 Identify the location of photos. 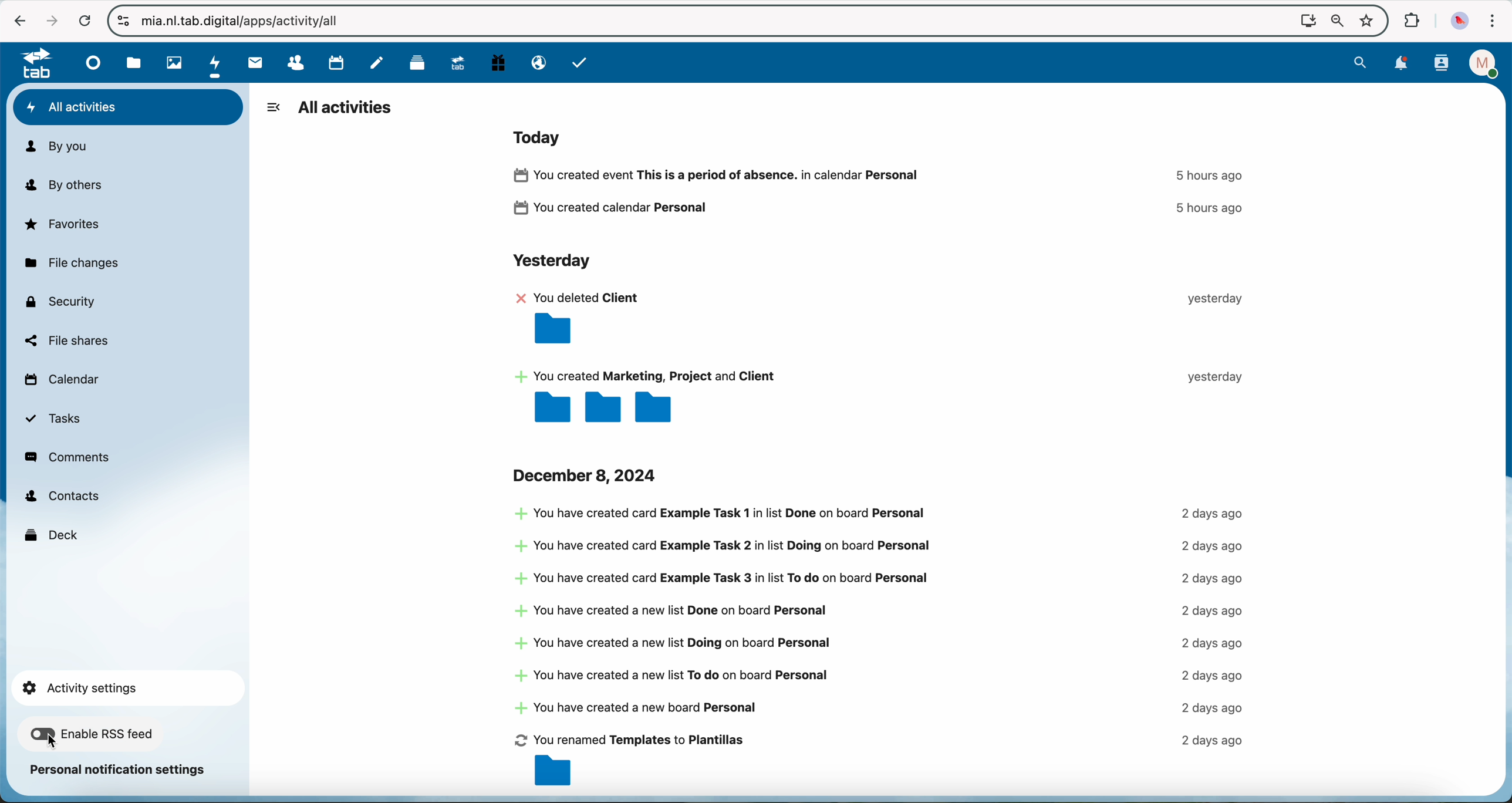
(171, 62).